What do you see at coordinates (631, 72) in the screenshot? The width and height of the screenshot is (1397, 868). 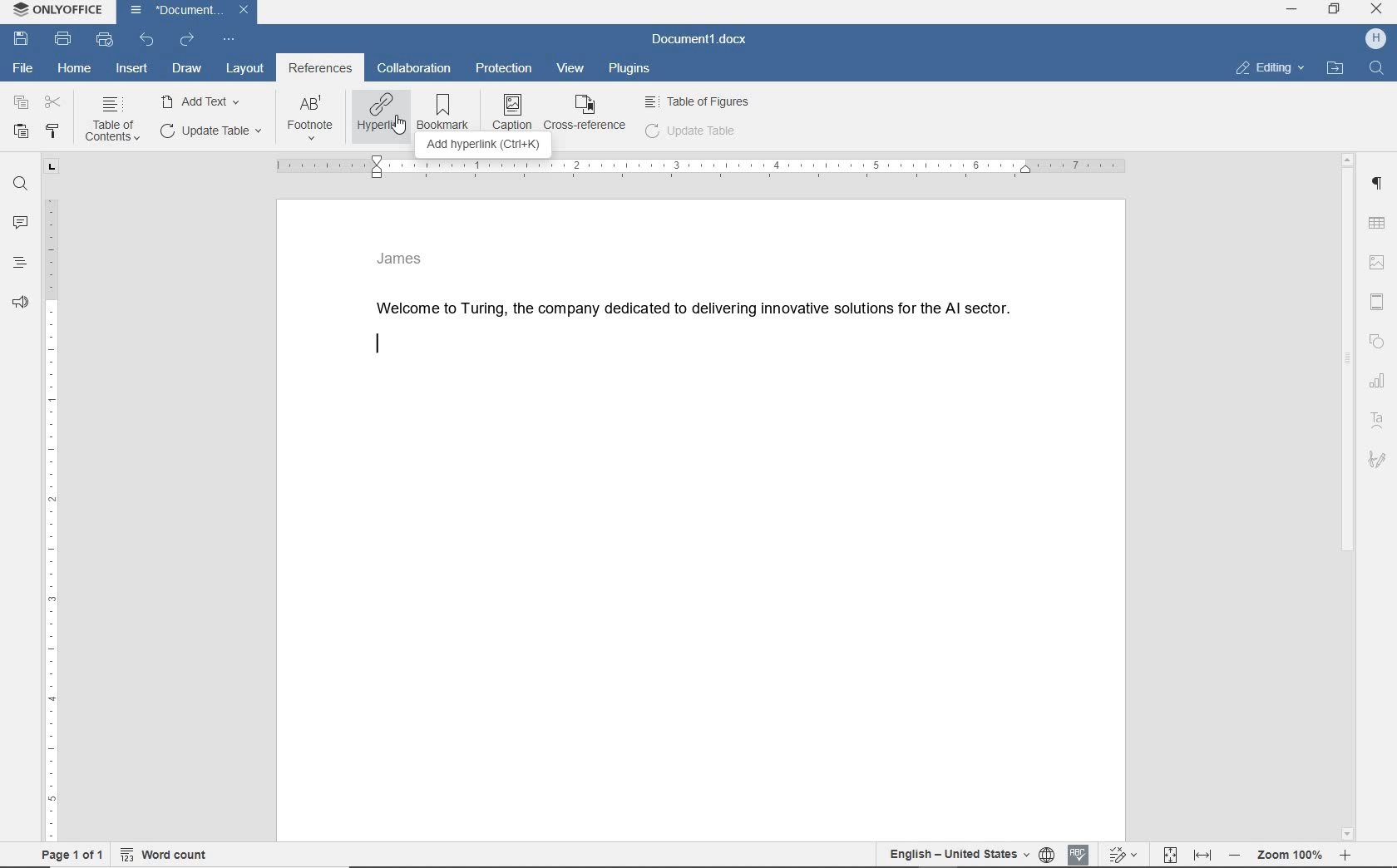 I see `plugins` at bounding box center [631, 72].